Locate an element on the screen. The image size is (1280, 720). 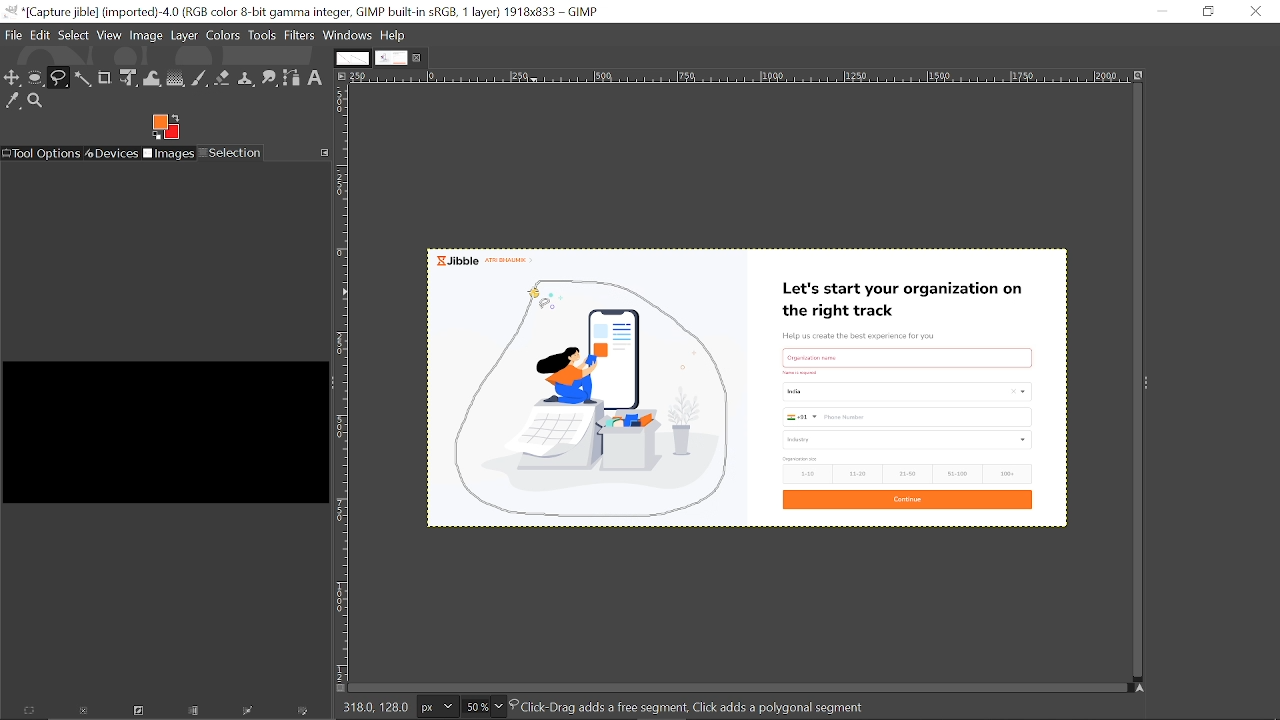
Text tool is located at coordinates (317, 78).